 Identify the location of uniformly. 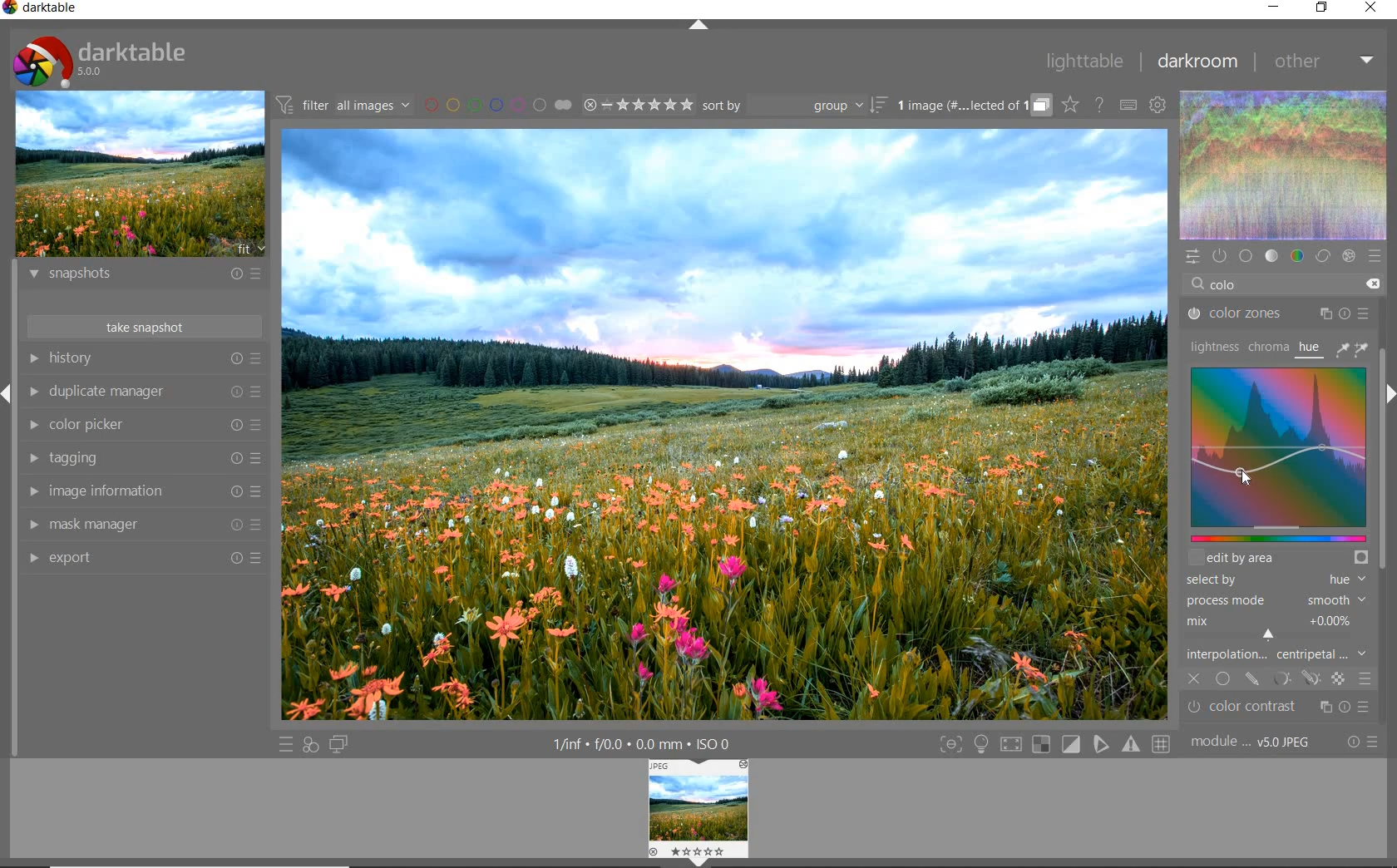
(1224, 679).